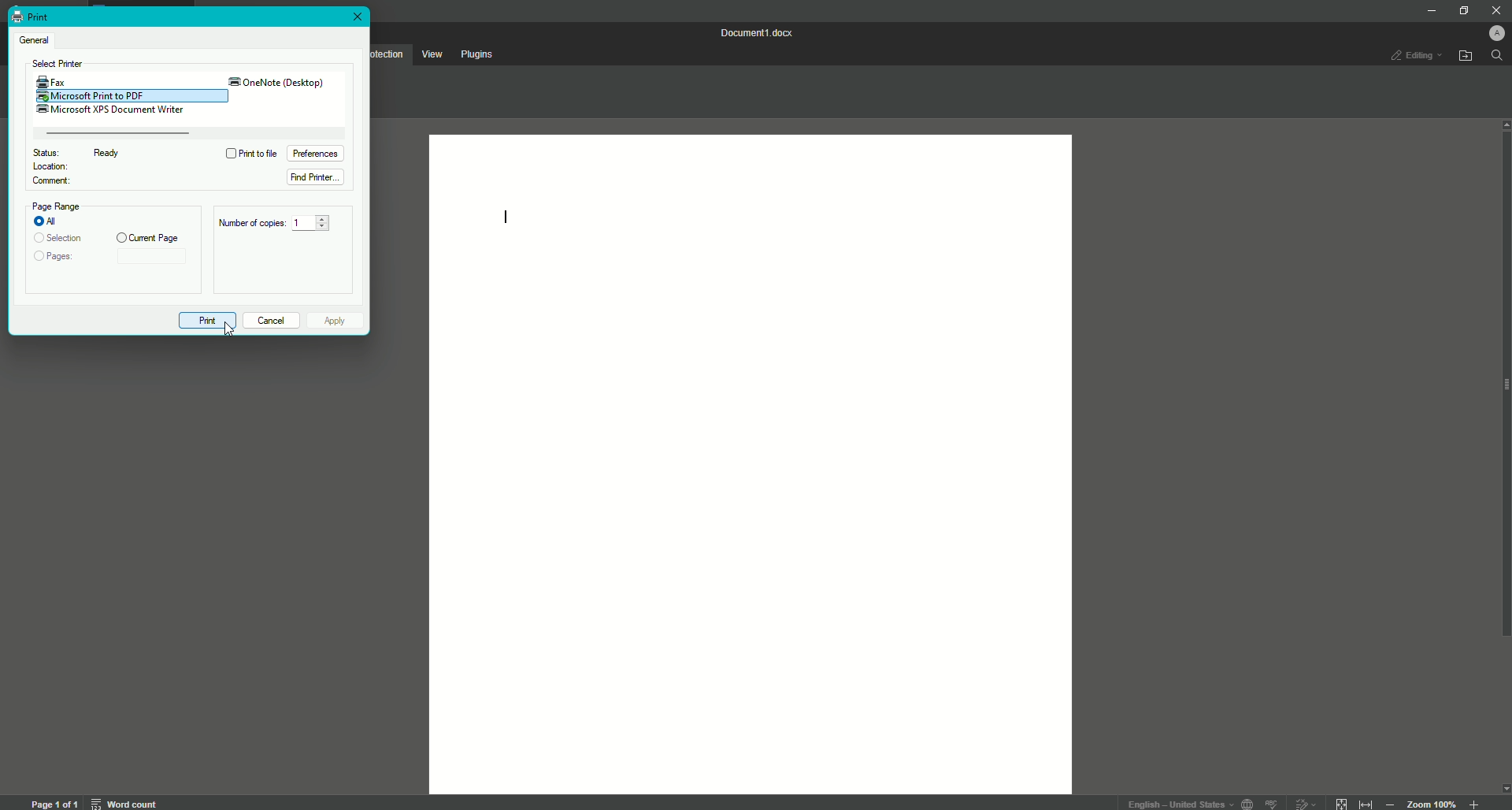 This screenshot has height=810, width=1512. I want to click on Pages, so click(57, 259).